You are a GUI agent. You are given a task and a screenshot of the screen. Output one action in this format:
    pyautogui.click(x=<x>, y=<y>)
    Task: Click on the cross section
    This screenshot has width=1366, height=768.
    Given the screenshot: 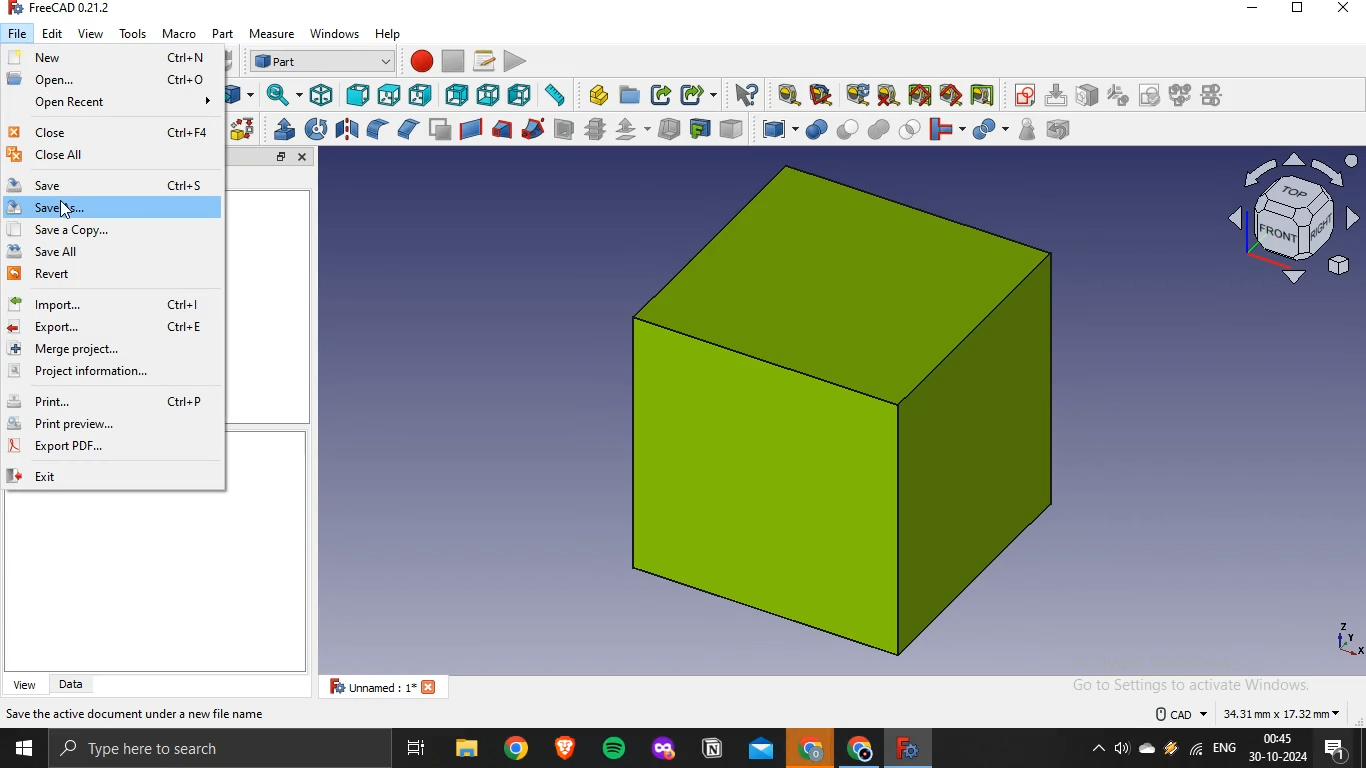 What is the action you would take?
    pyautogui.click(x=594, y=128)
    